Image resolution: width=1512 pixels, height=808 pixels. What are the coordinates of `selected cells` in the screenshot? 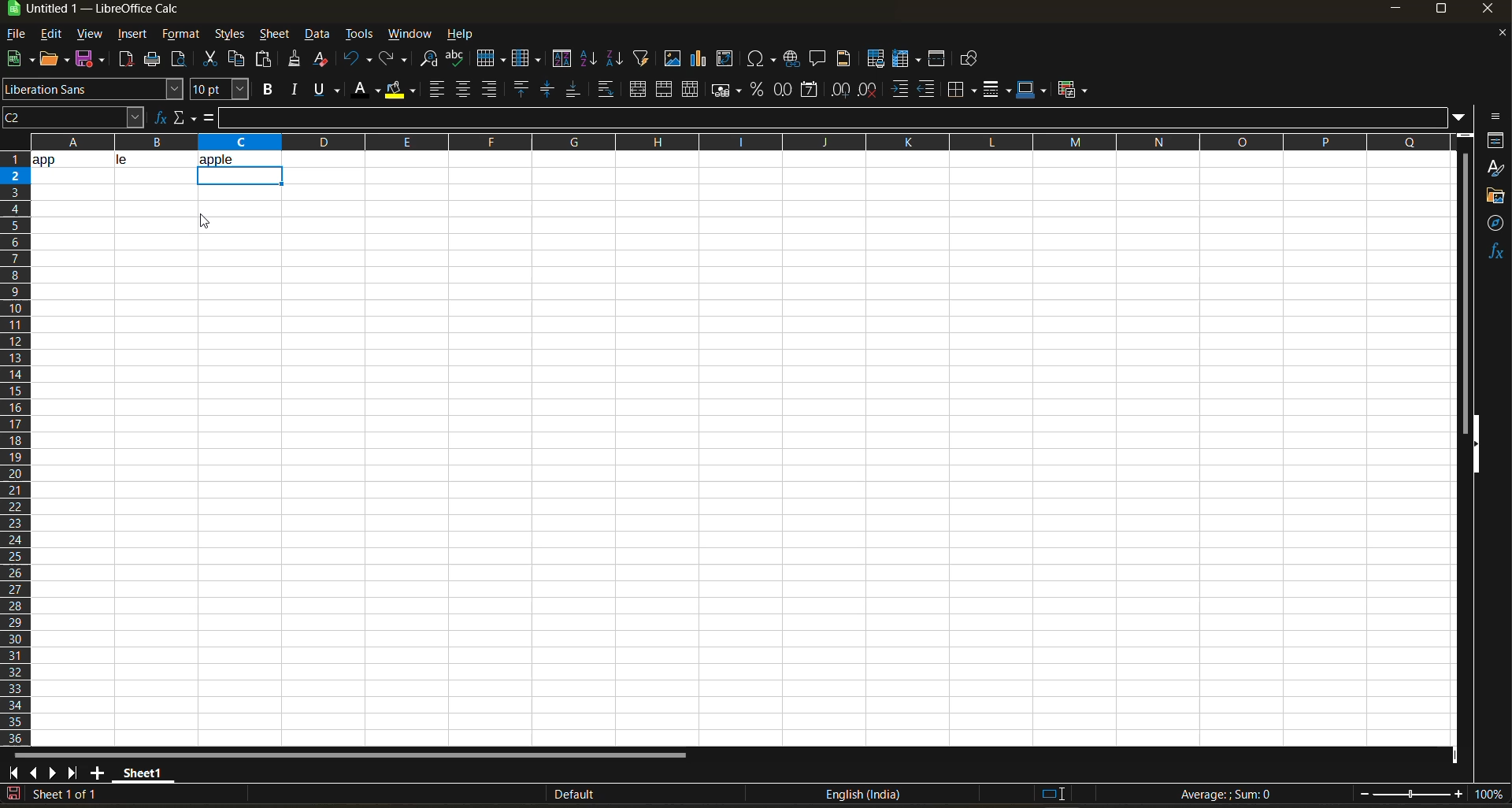 It's located at (239, 176).